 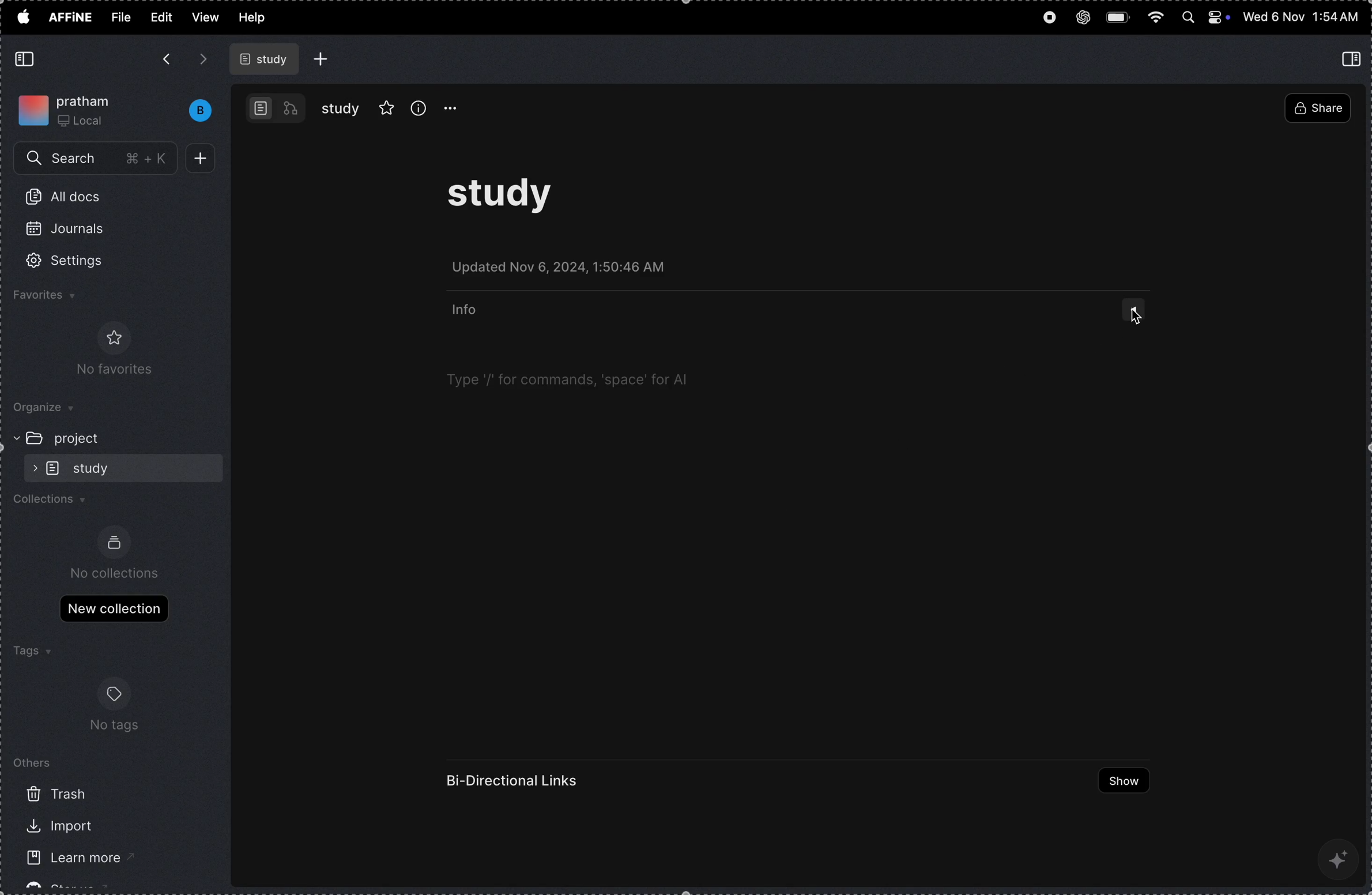 What do you see at coordinates (205, 159) in the screenshot?
I see `add` at bounding box center [205, 159].